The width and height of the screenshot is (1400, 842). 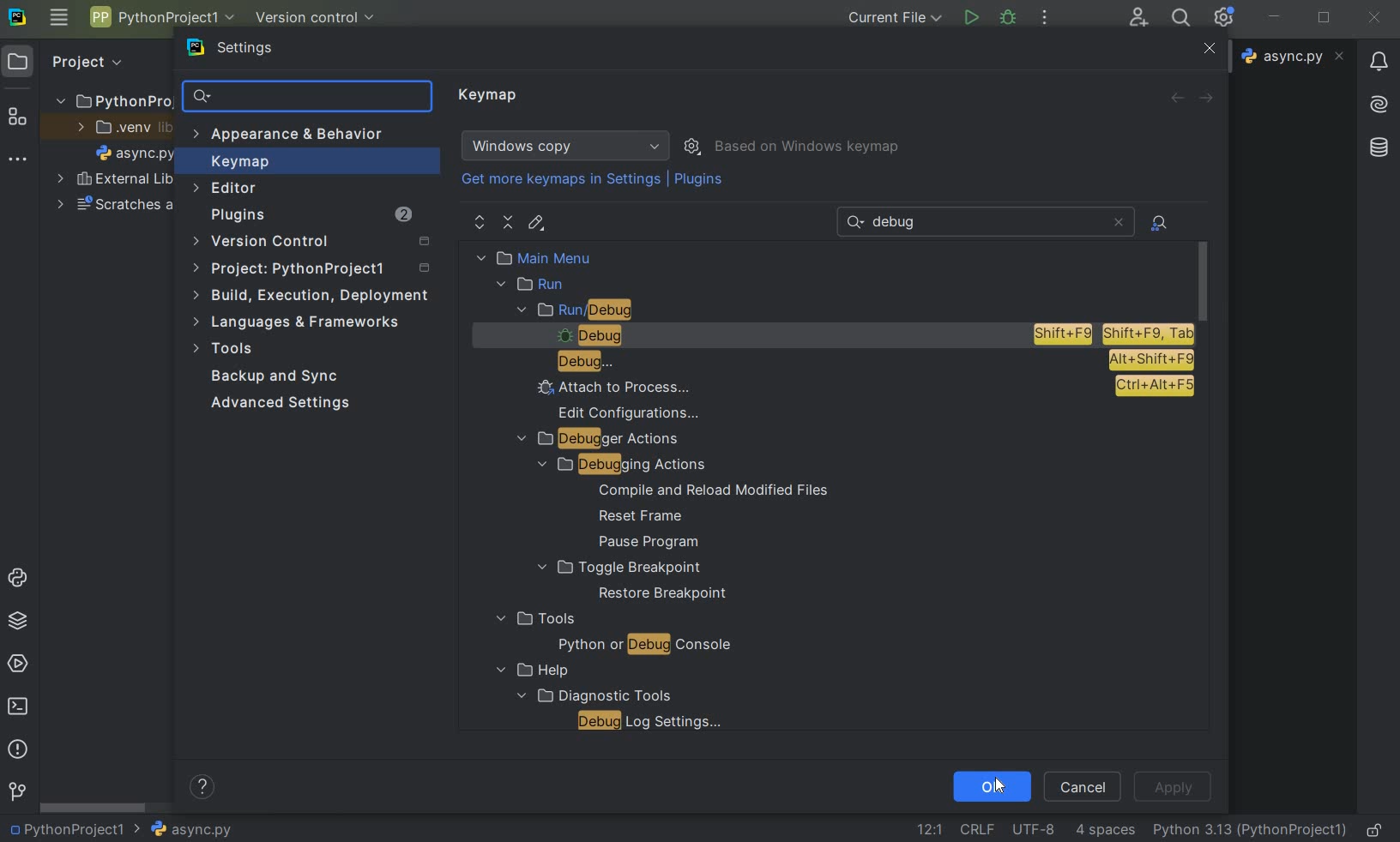 I want to click on close, so click(x=1374, y=18).